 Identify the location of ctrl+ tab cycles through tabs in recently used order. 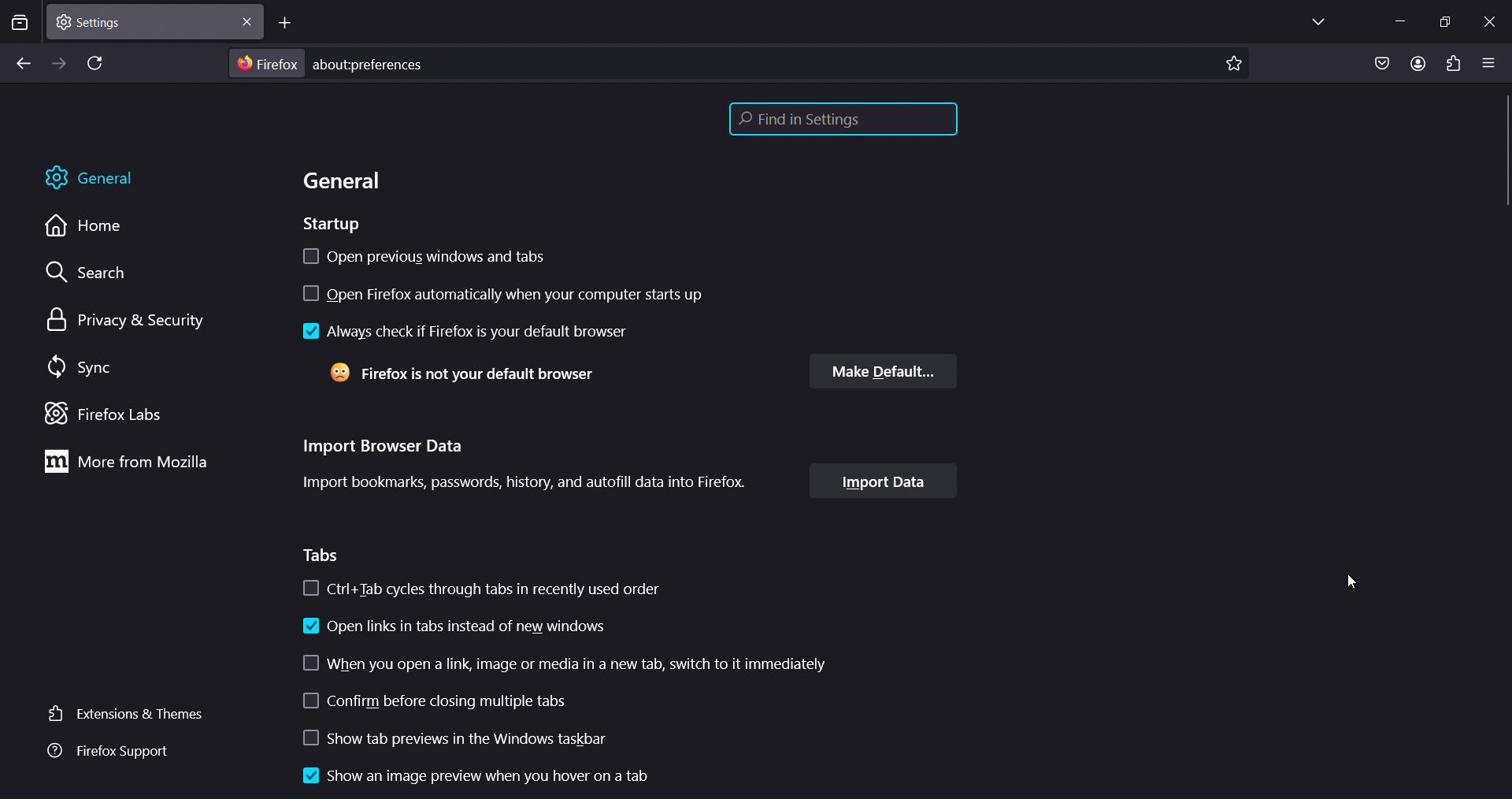
(480, 589).